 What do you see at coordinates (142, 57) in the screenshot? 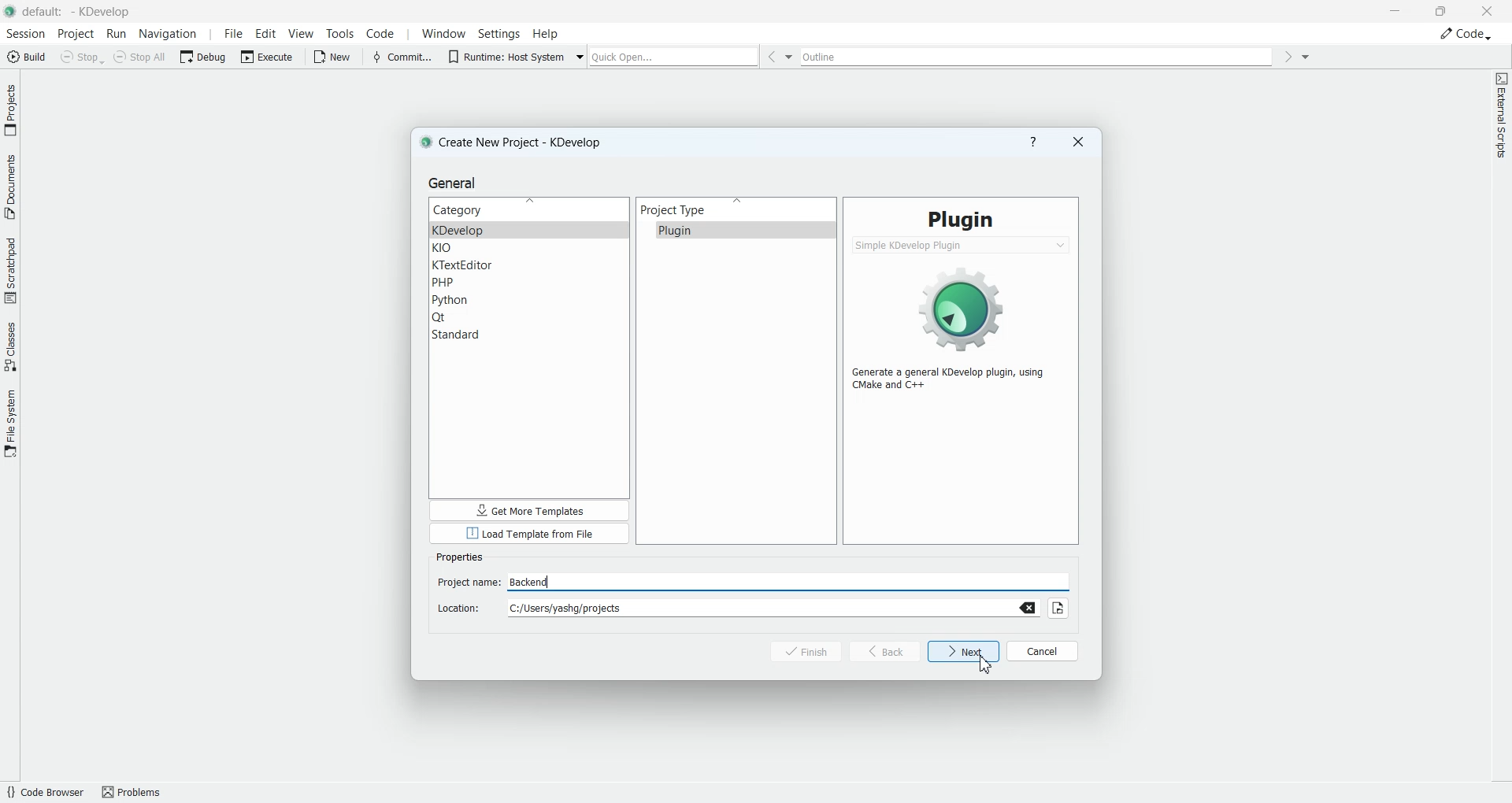
I see `Stop All` at bounding box center [142, 57].